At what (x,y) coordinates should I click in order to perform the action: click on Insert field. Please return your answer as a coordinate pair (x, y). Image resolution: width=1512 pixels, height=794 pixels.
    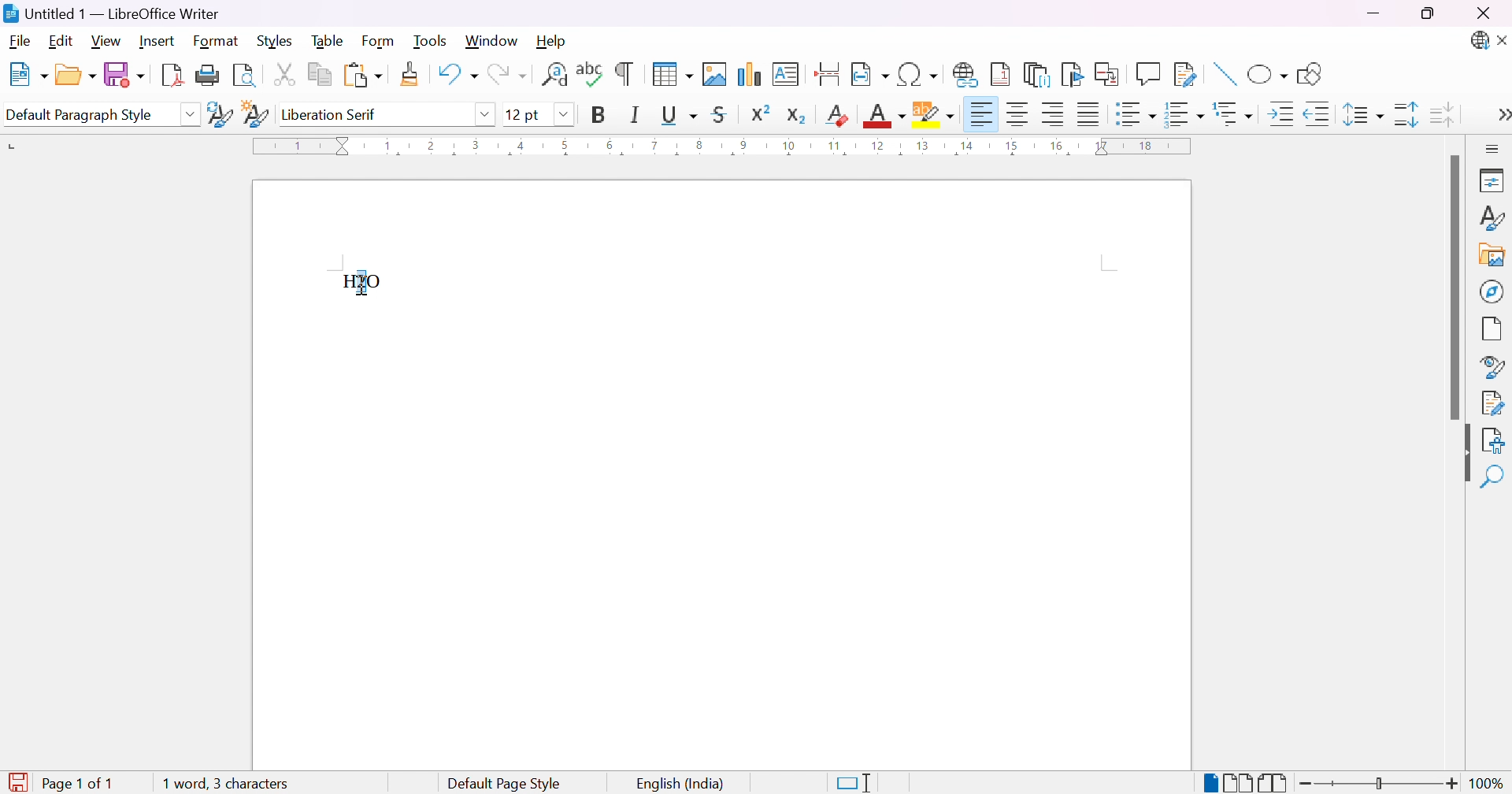
    Looking at the image, I should click on (869, 75).